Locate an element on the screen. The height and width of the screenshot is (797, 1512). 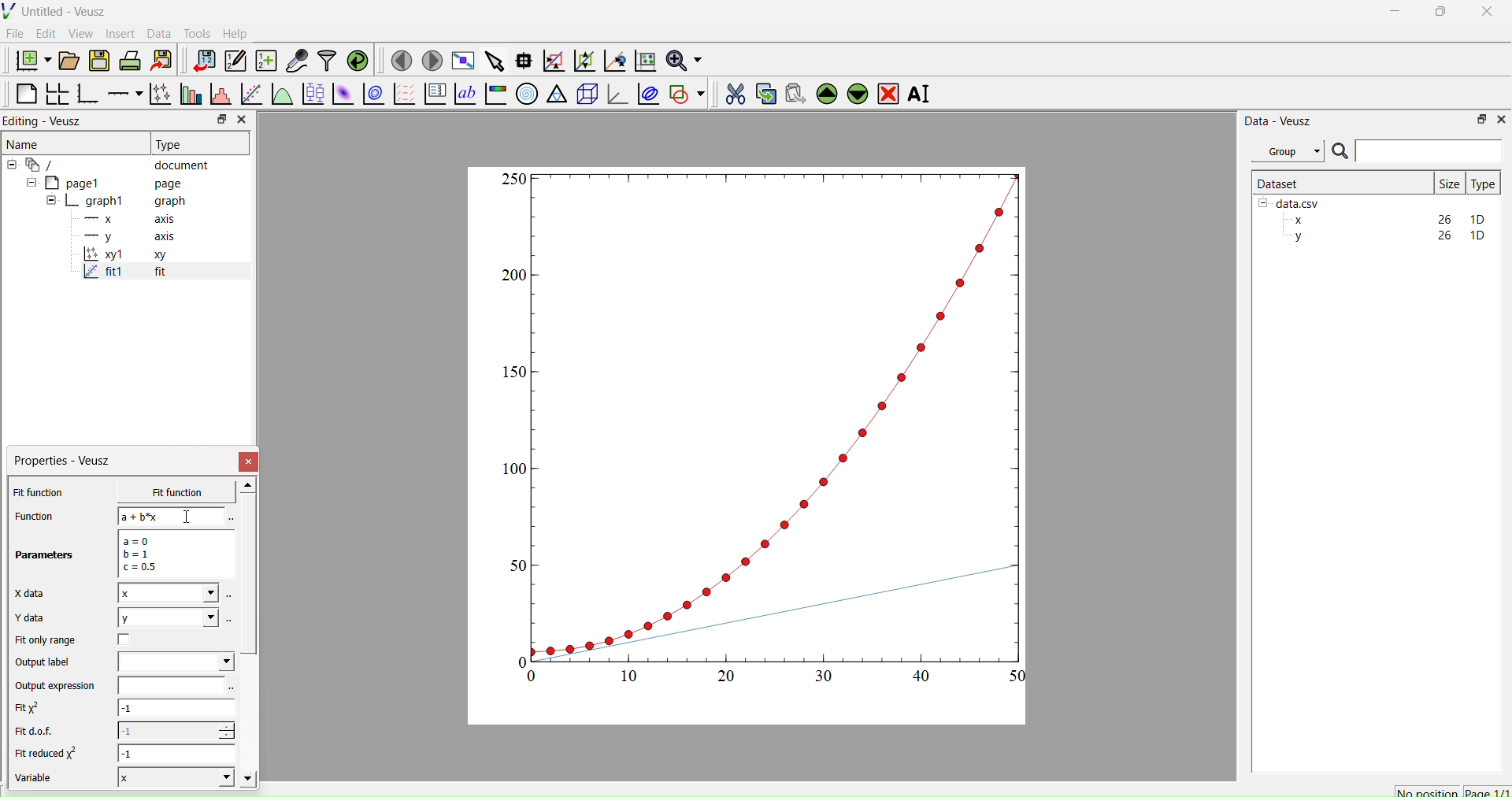
Add Shape is located at coordinates (685, 91).